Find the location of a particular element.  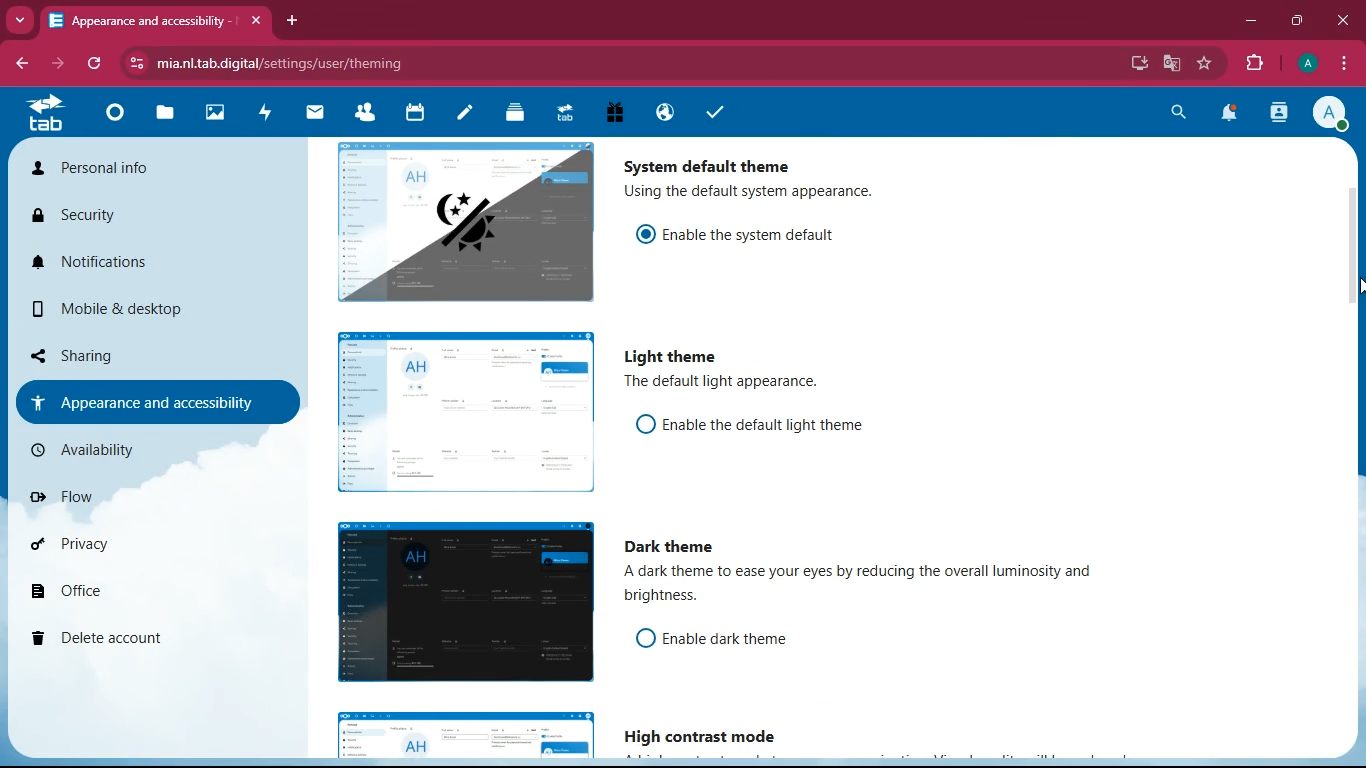

tasks is located at coordinates (715, 114).